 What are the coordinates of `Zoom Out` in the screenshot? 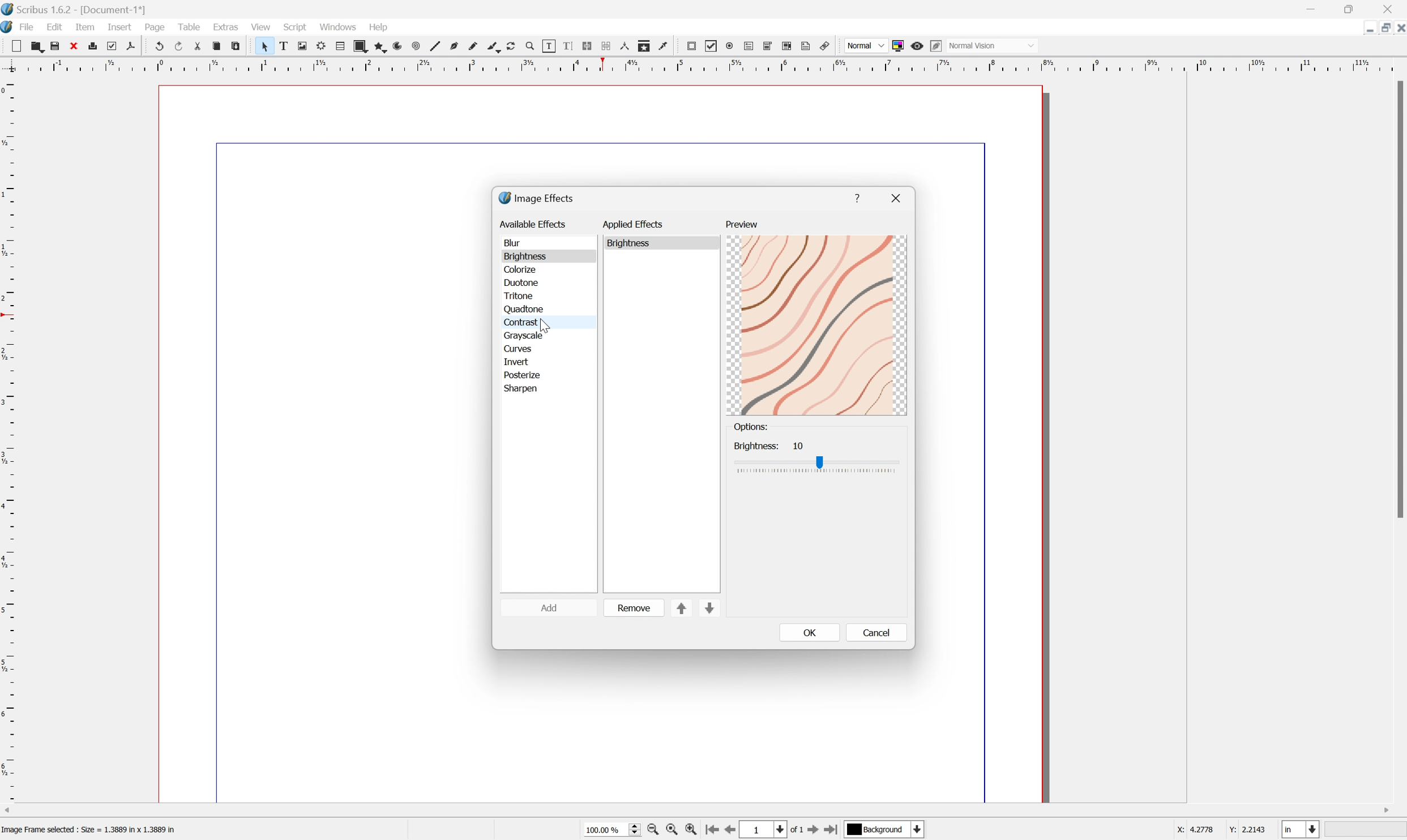 It's located at (652, 831).